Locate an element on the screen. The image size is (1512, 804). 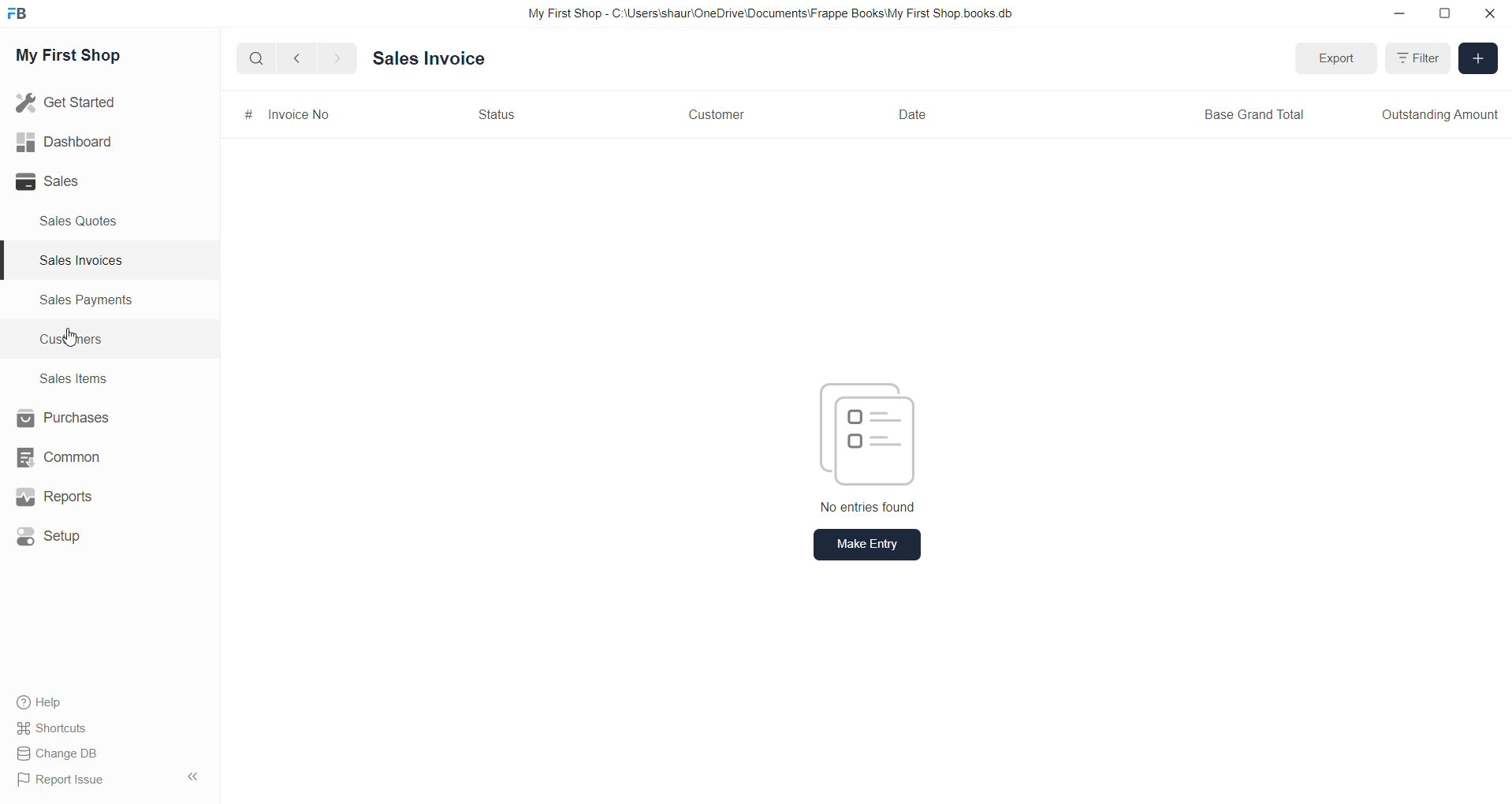
Sales Invoice is located at coordinates (426, 62).